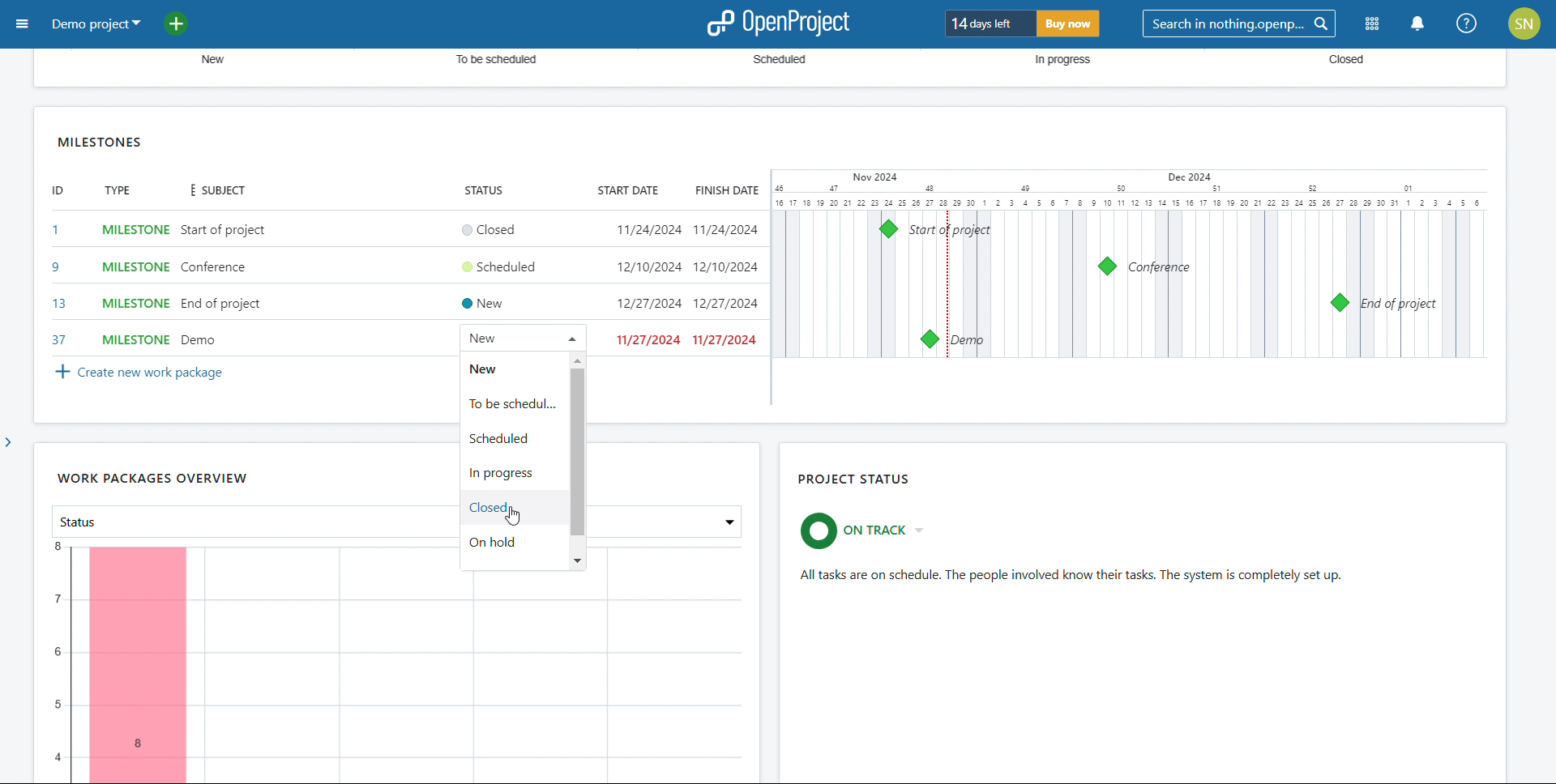  I want to click on set project status, so click(869, 530).